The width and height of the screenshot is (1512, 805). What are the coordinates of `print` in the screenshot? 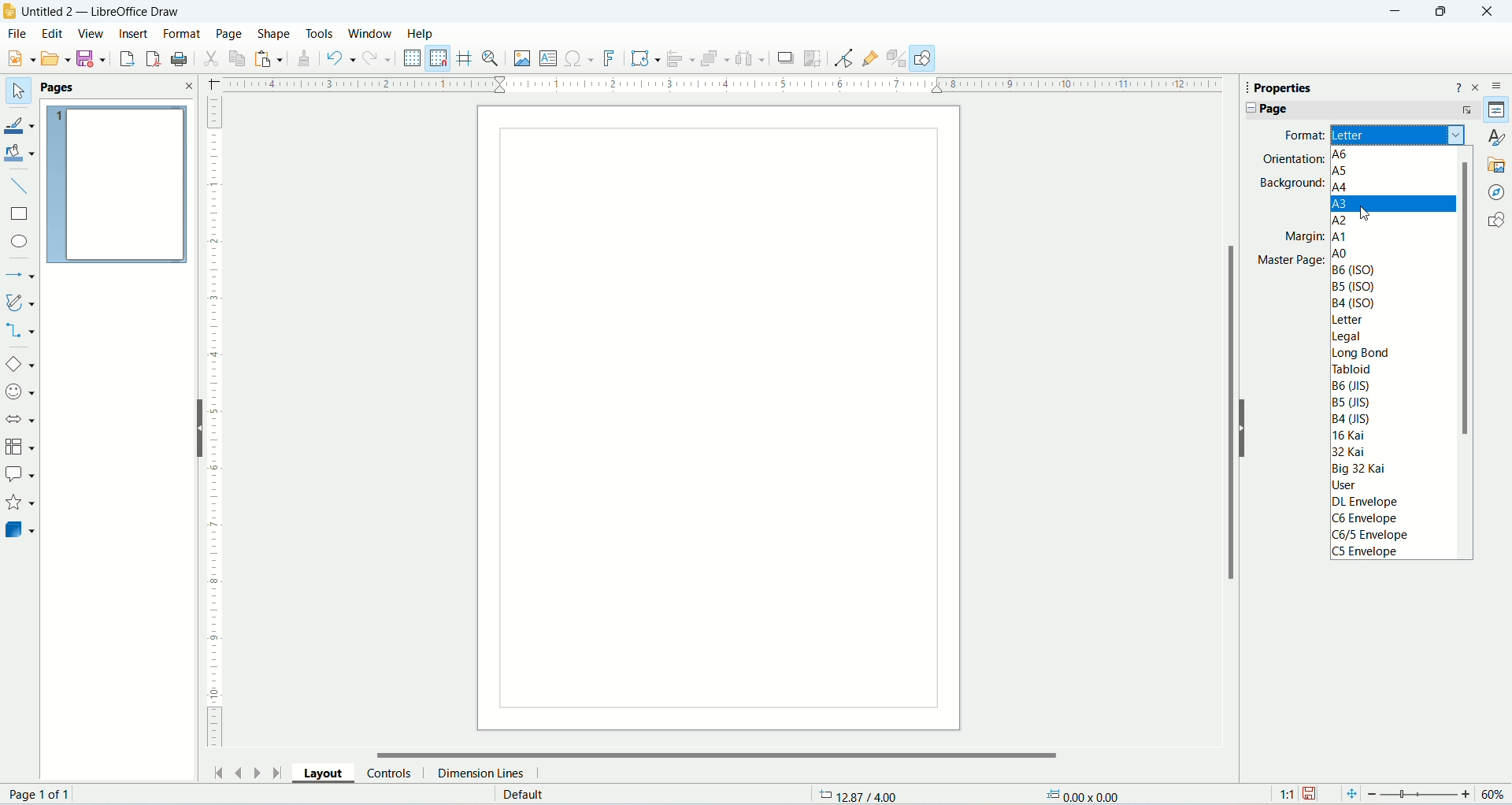 It's located at (180, 57).